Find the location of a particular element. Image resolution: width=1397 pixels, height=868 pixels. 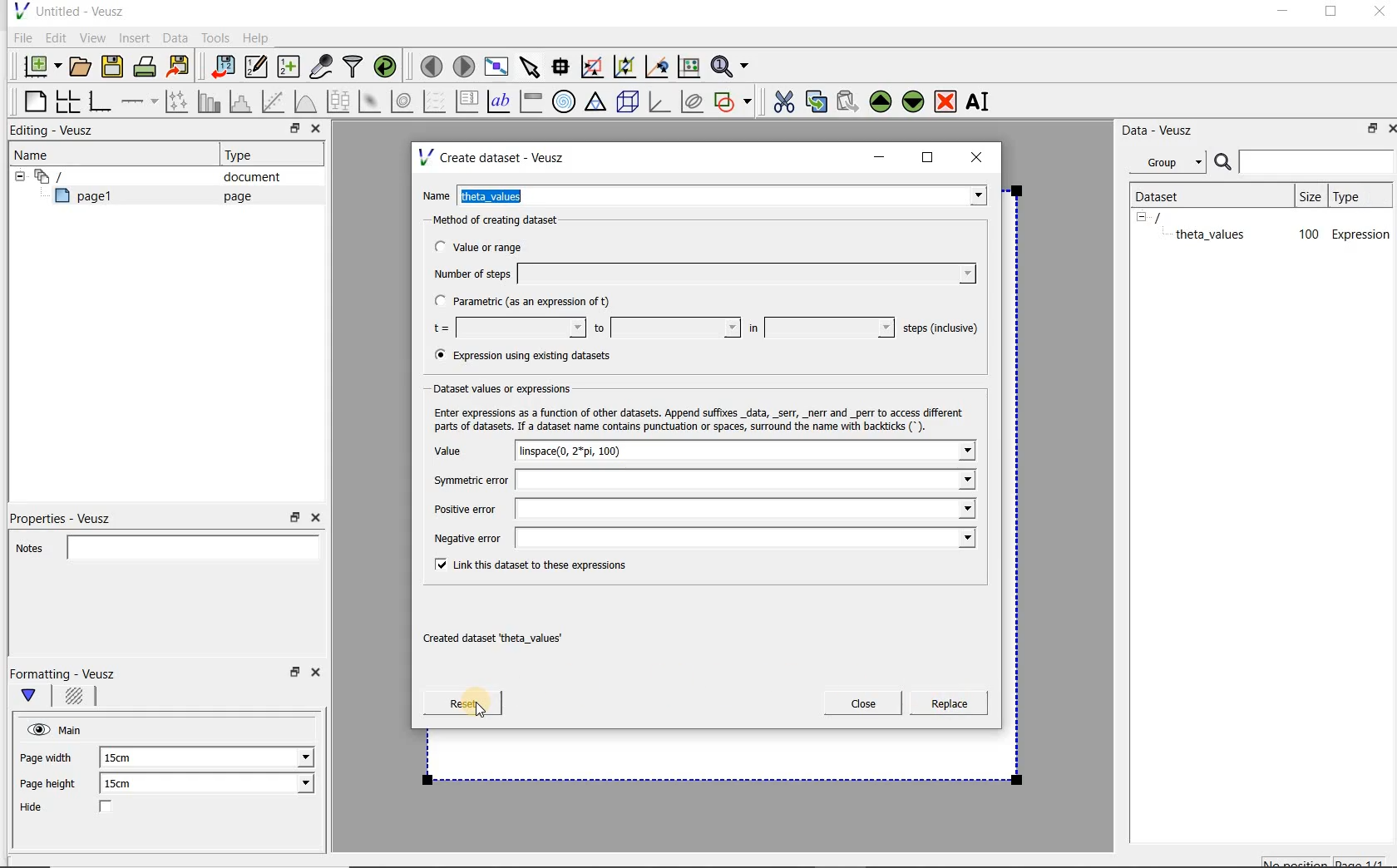

Dataset values or expressions is located at coordinates (511, 388).